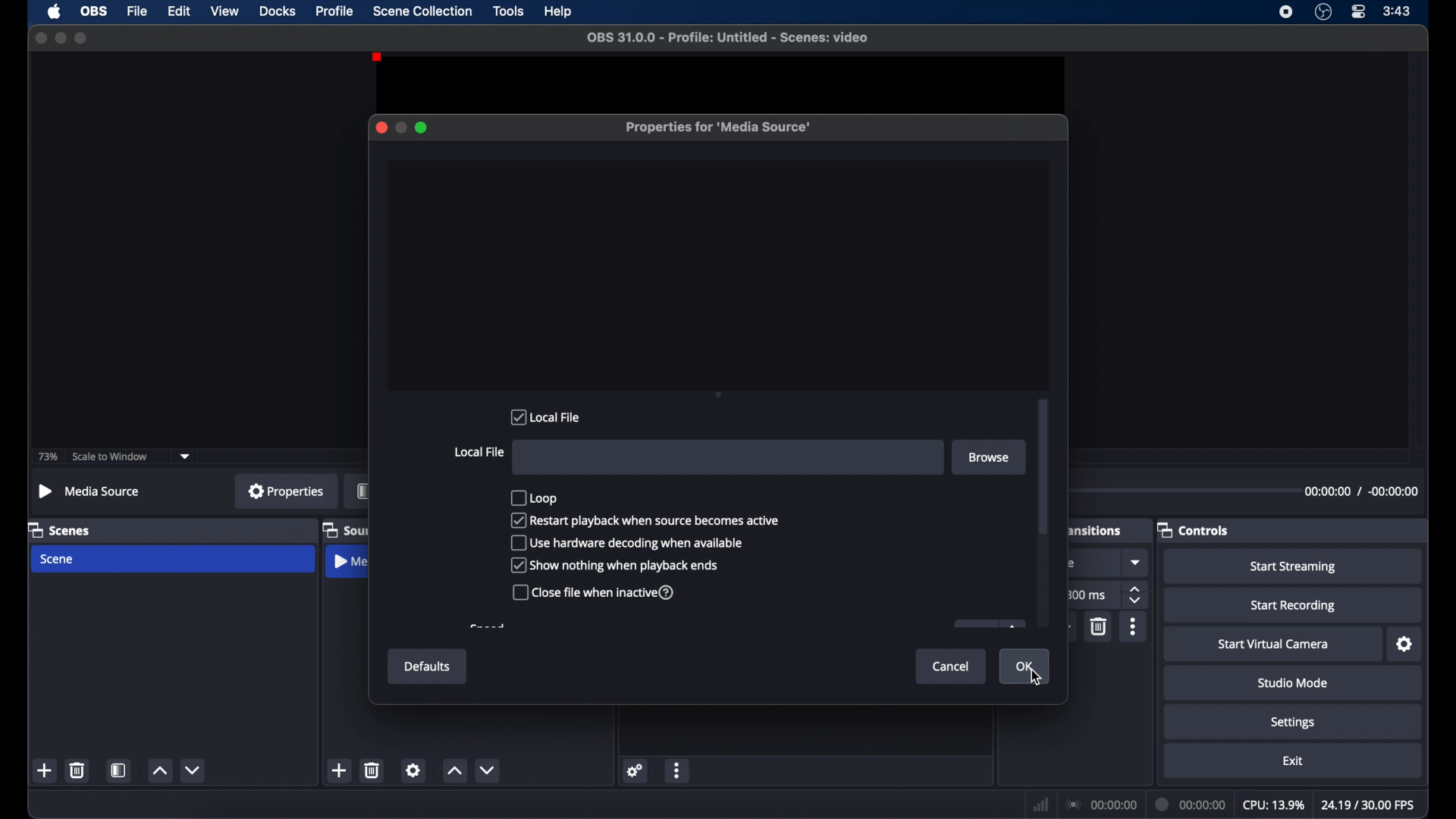  Describe the element at coordinates (1272, 805) in the screenshot. I see `cpu: 13.9%` at that location.